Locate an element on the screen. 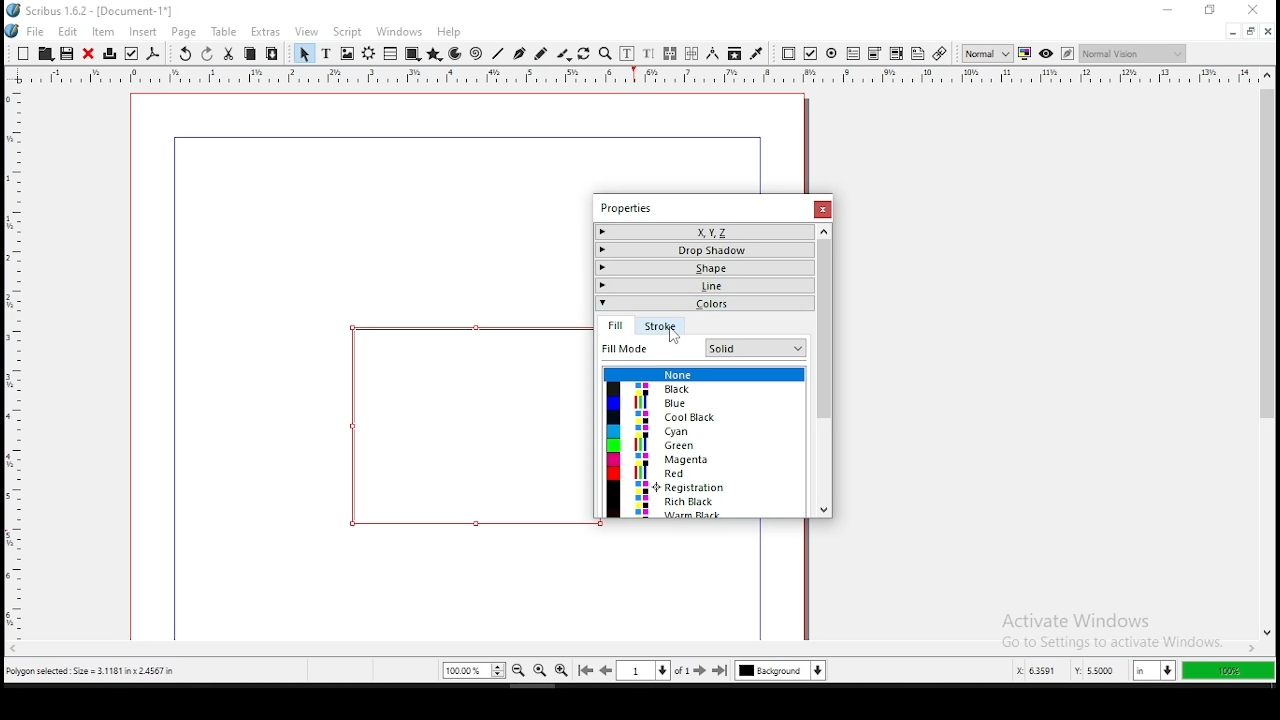  fit mode is located at coordinates (650, 348).